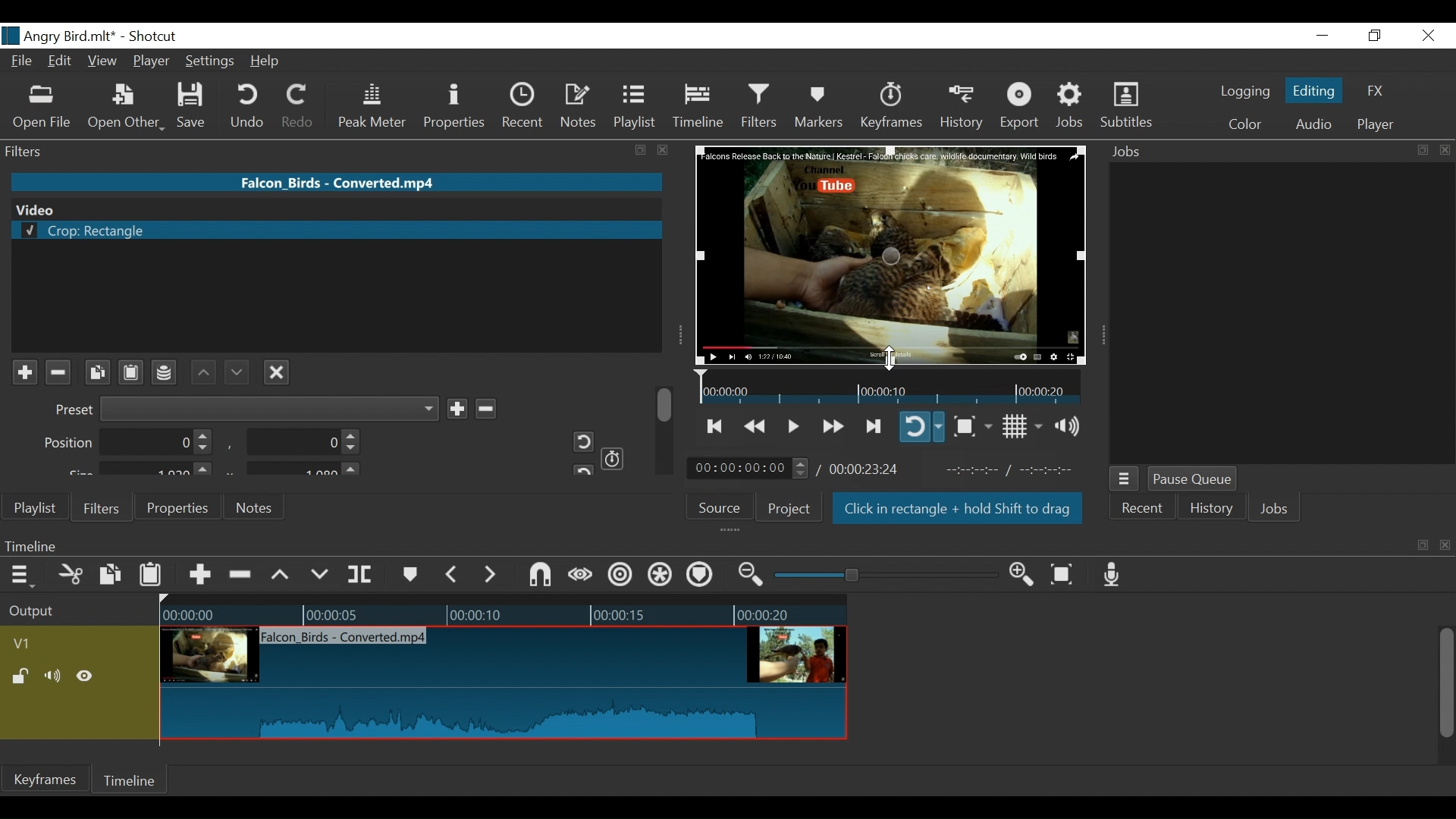  What do you see at coordinates (244, 409) in the screenshot?
I see `Present` at bounding box center [244, 409].